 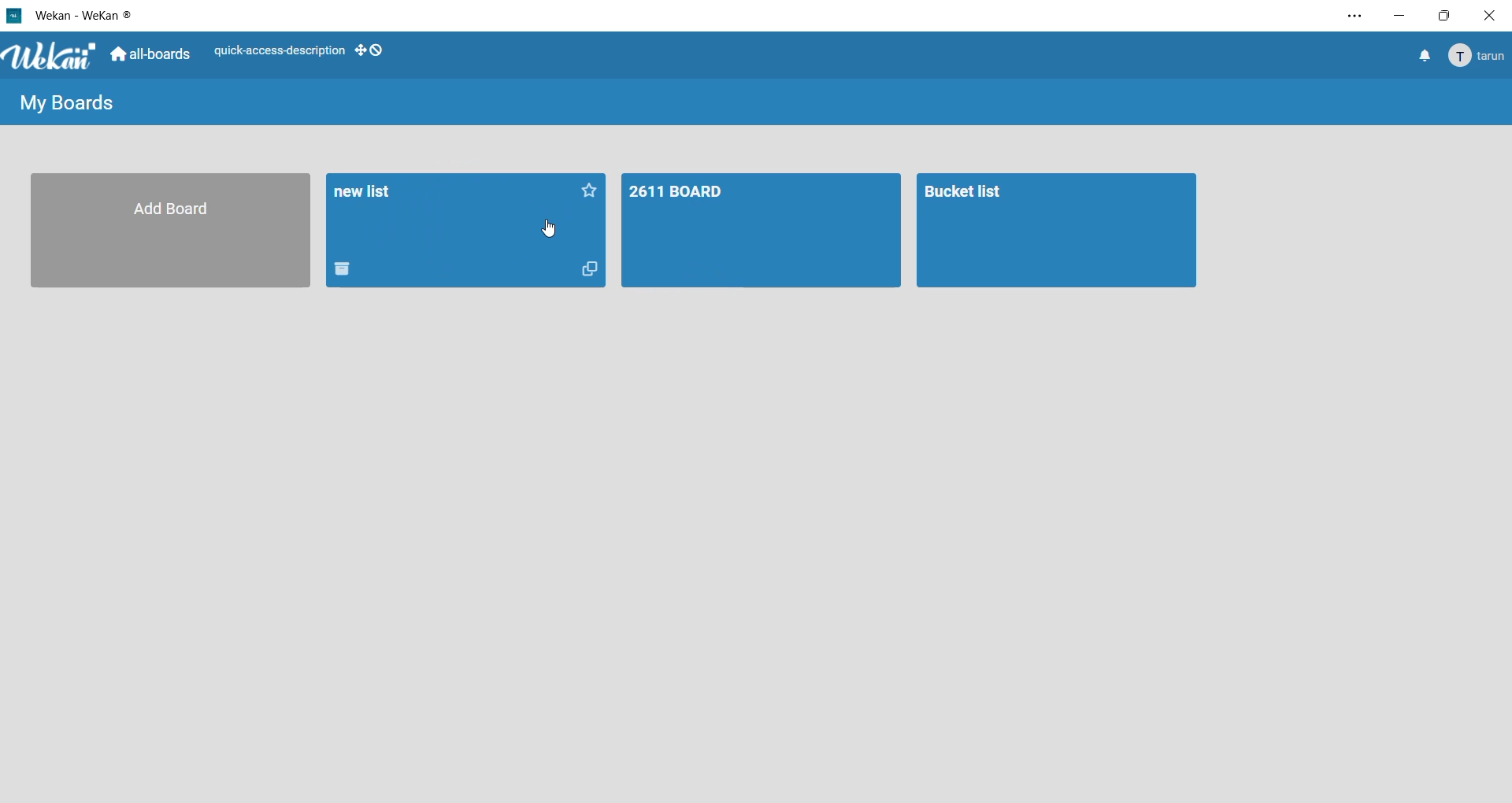 I want to click on settings and more, so click(x=1351, y=17).